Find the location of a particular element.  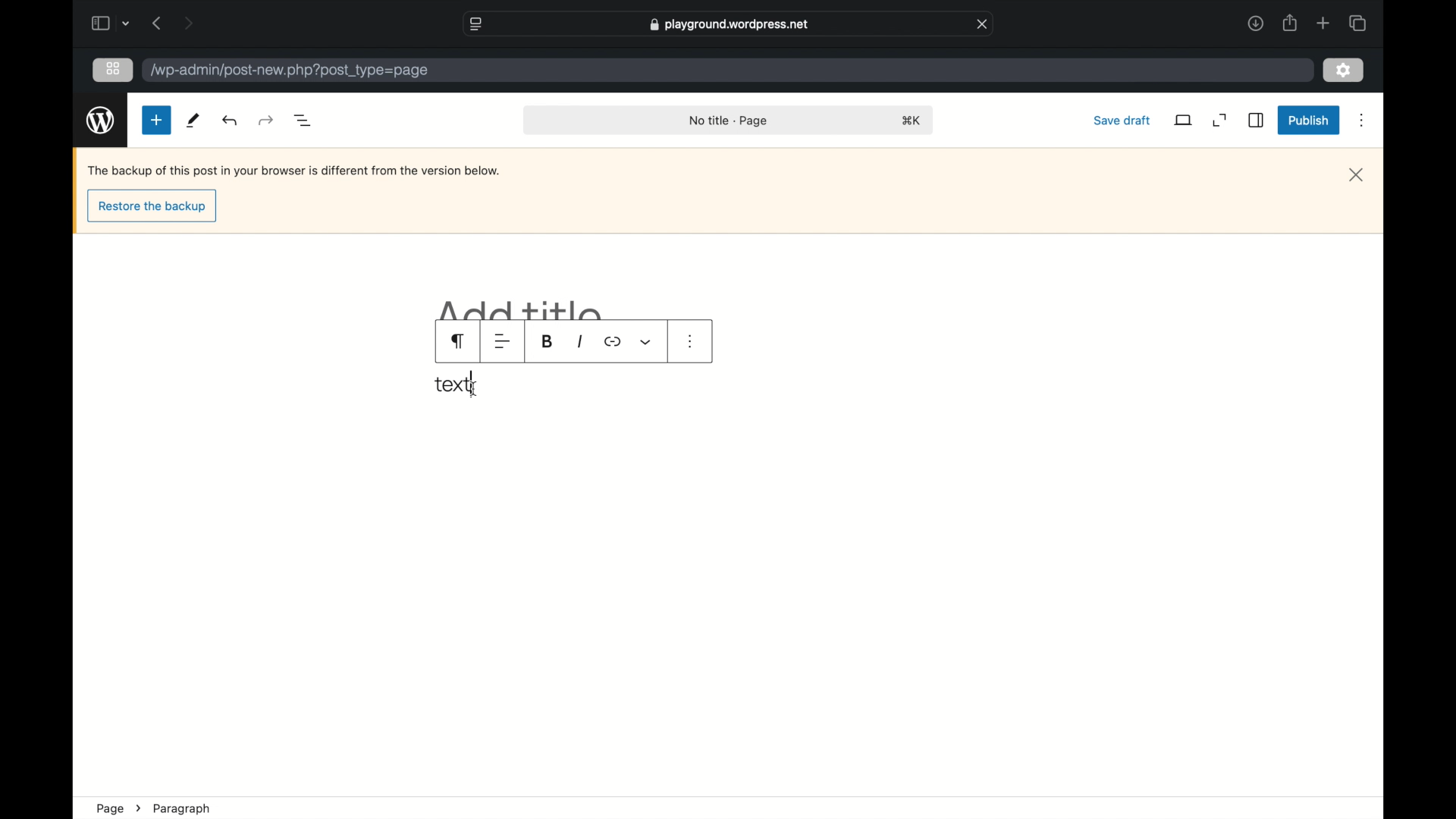

tools is located at coordinates (192, 121).